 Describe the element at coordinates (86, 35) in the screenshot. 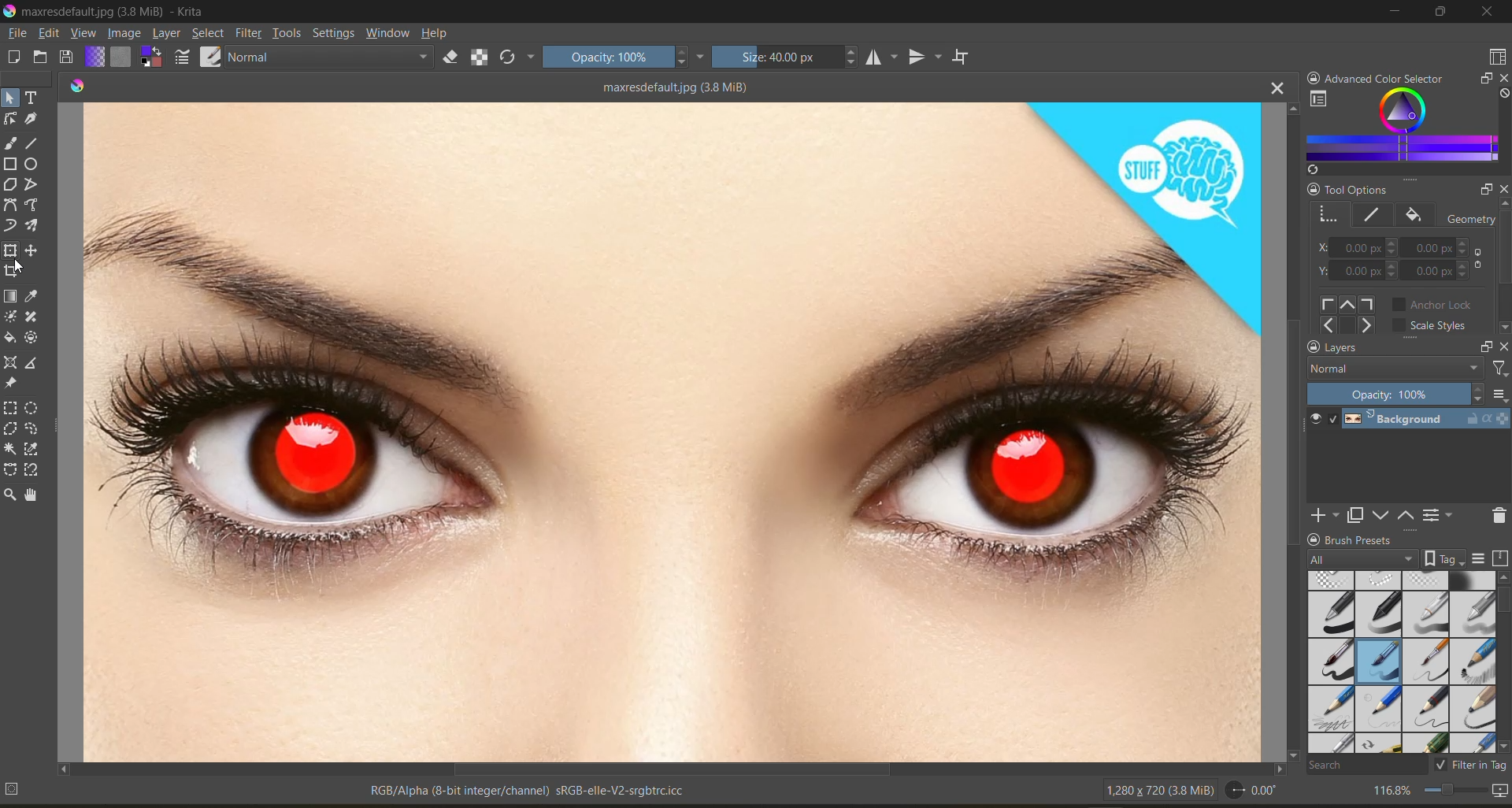

I see `view` at that location.